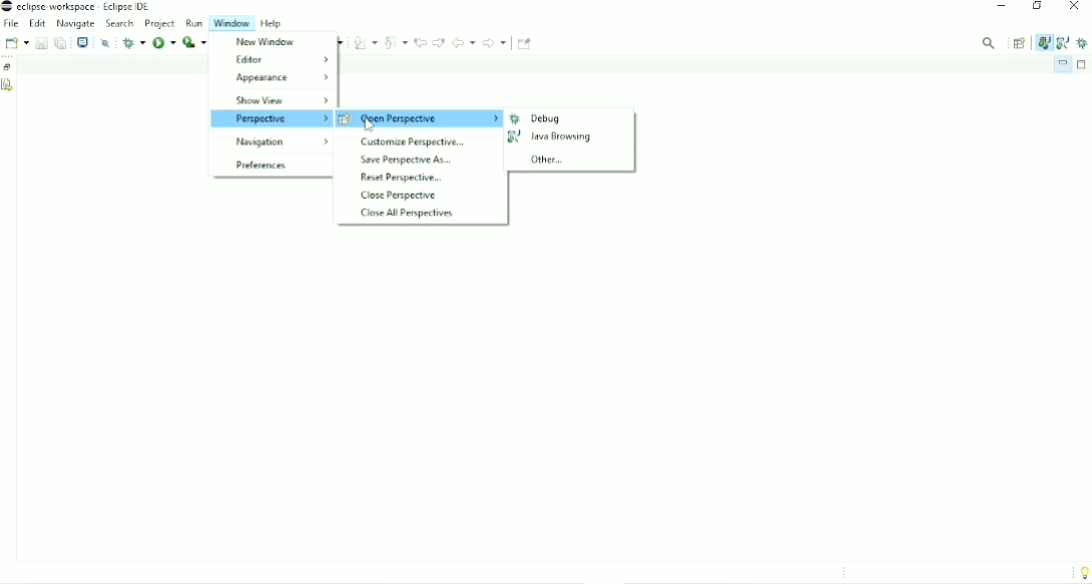 The height and width of the screenshot is (584, 1092). Describe the element at coordinates (133, 42) in the screenshot. I see `Debug` at that location.